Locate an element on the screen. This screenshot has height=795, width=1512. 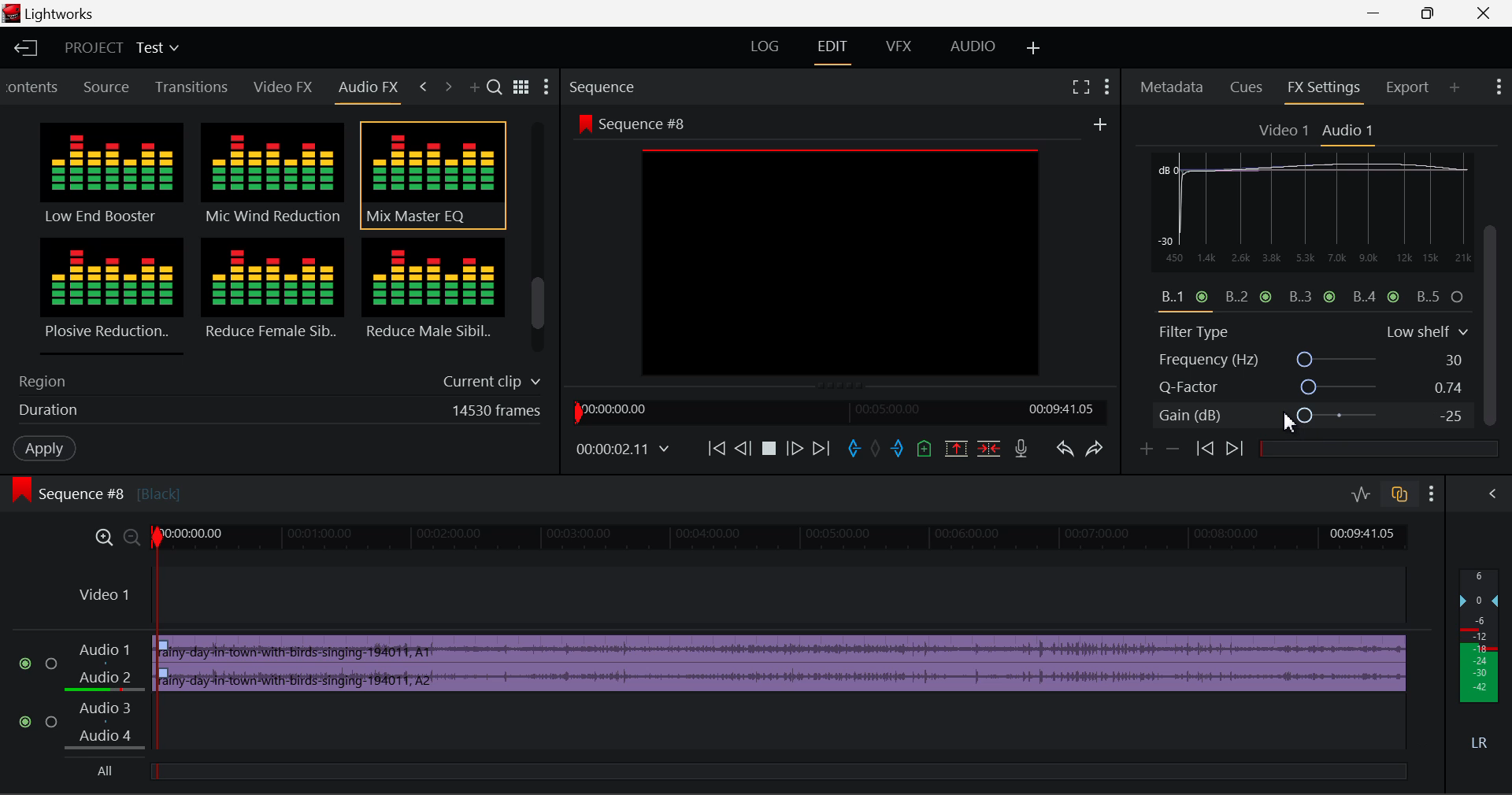
Add Panel is located at coordinates (476, 89).